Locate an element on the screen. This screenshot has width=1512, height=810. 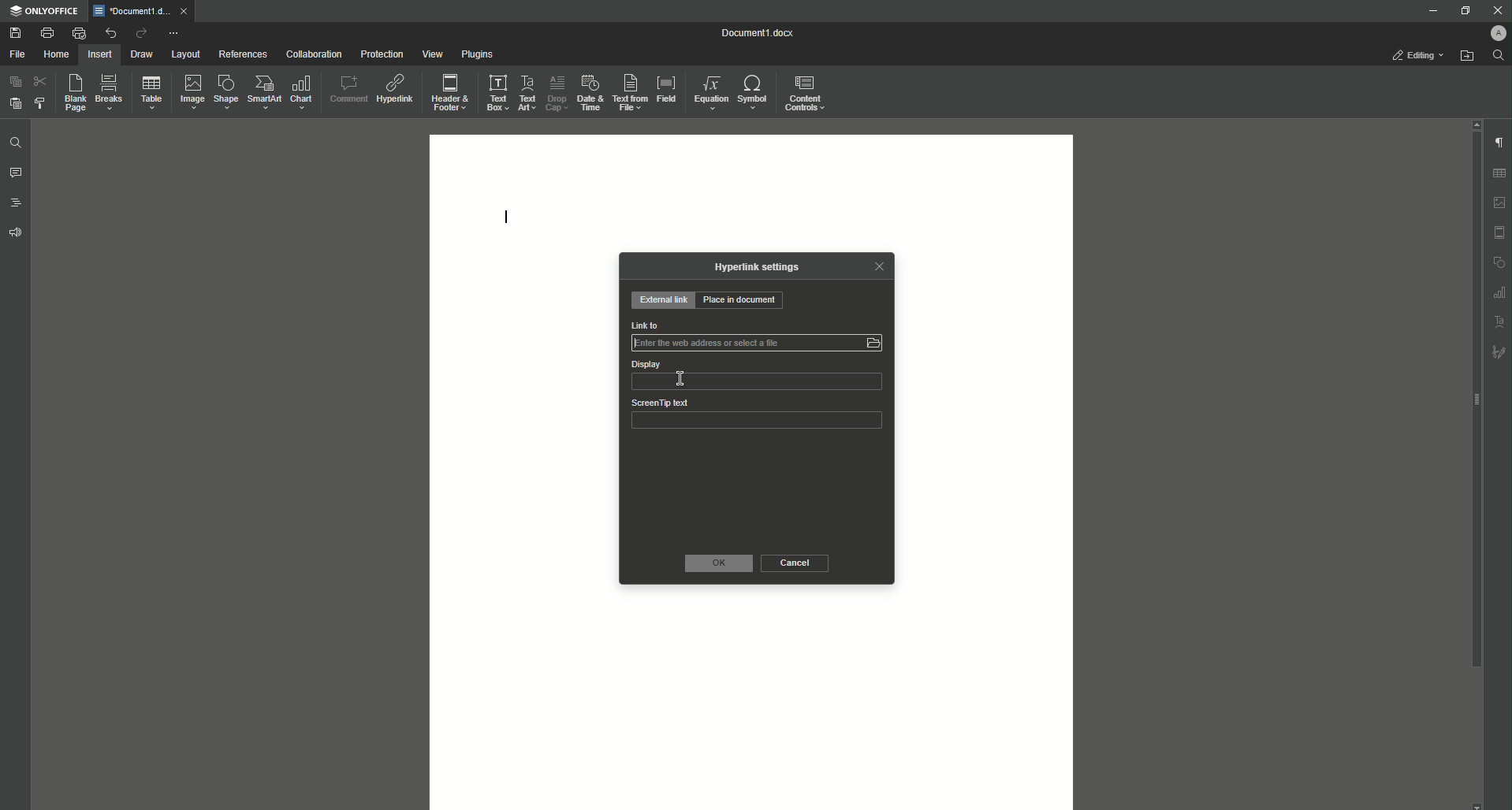
Layout is located at coordinates (184, 54).